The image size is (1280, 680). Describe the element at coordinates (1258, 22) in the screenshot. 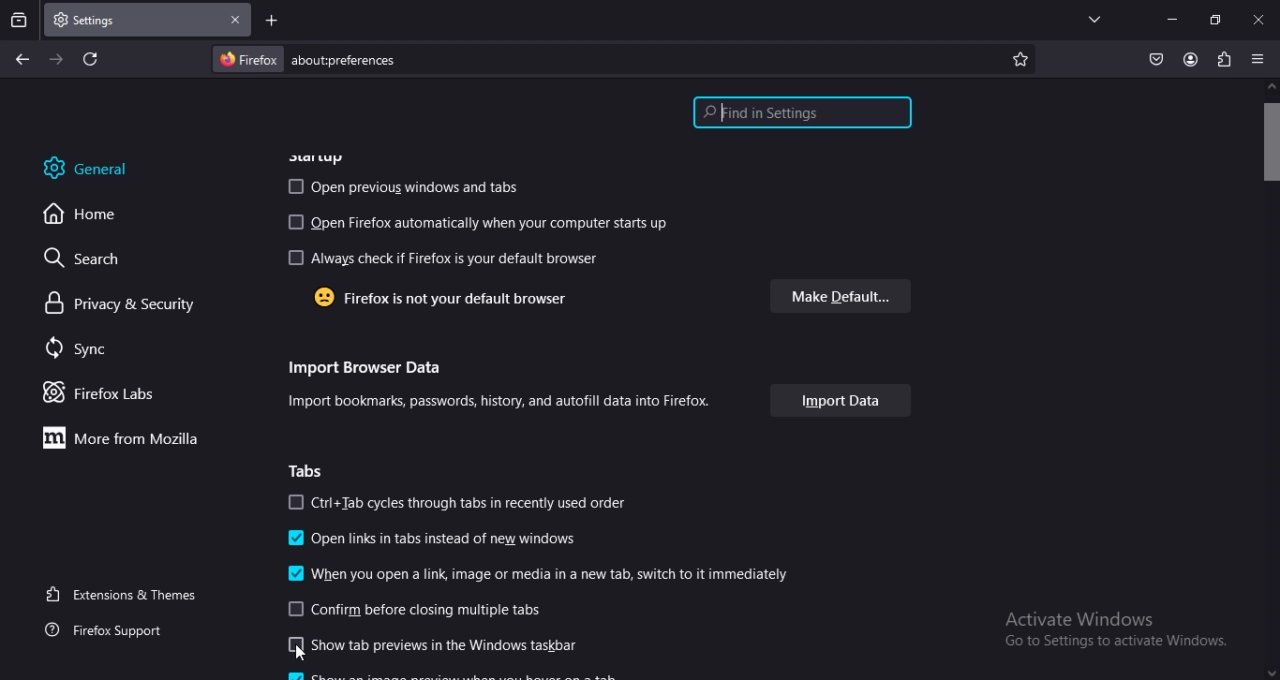

I see `close` at that location.